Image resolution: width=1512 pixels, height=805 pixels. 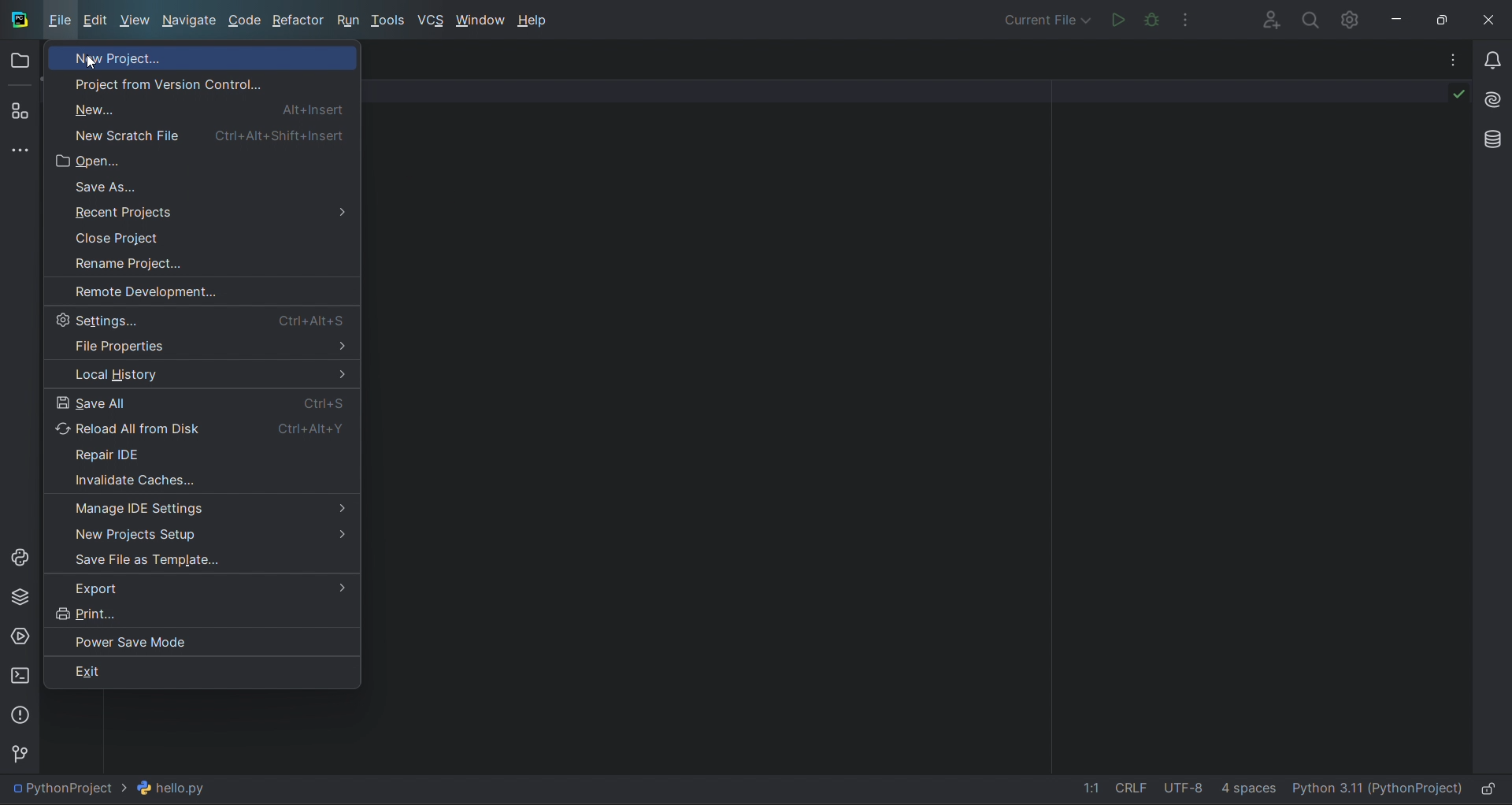 I want to click on ai assistant, so click(x=1490, y=95).